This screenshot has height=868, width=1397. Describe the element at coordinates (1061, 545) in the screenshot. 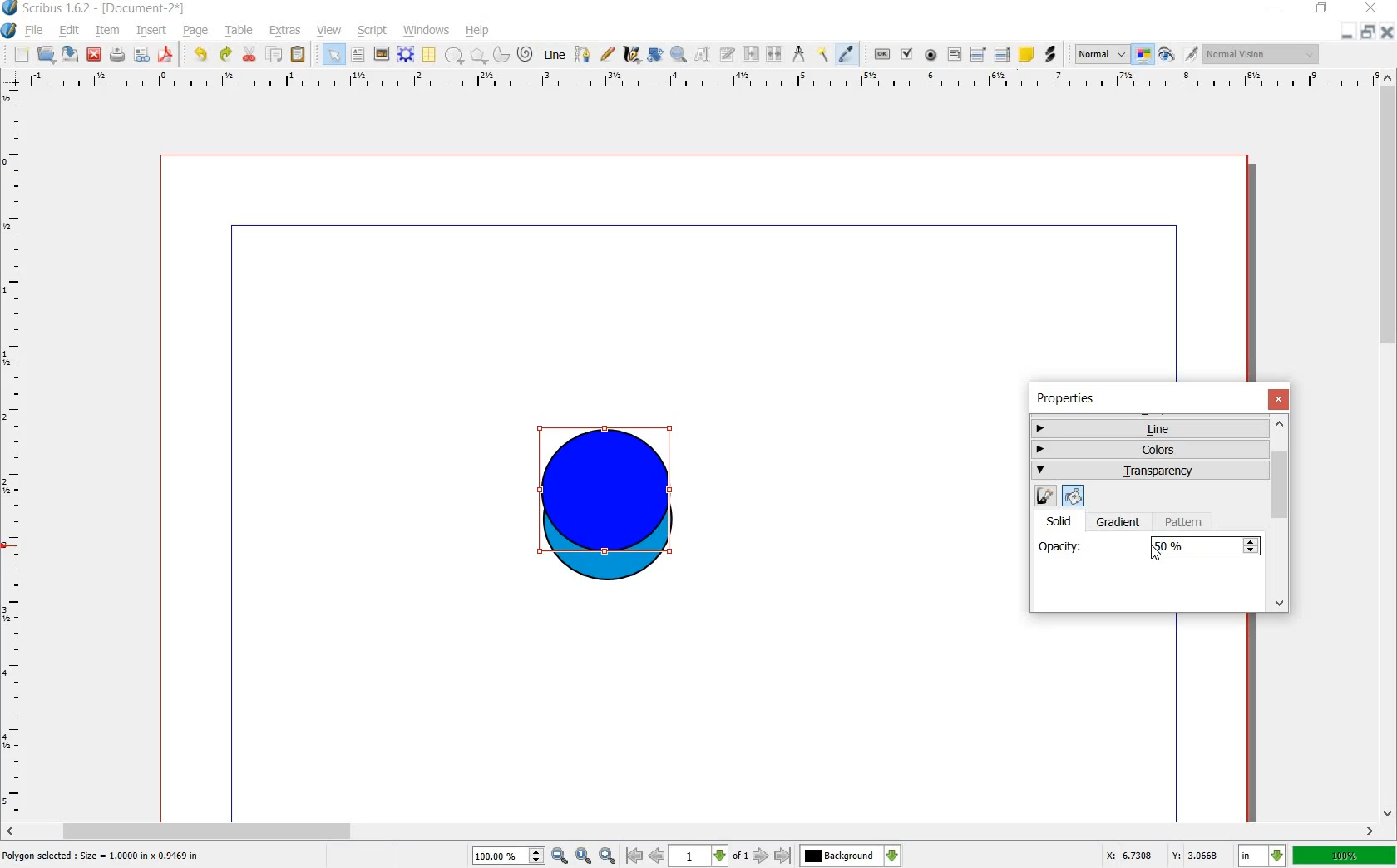

I see `opacity` at that location.